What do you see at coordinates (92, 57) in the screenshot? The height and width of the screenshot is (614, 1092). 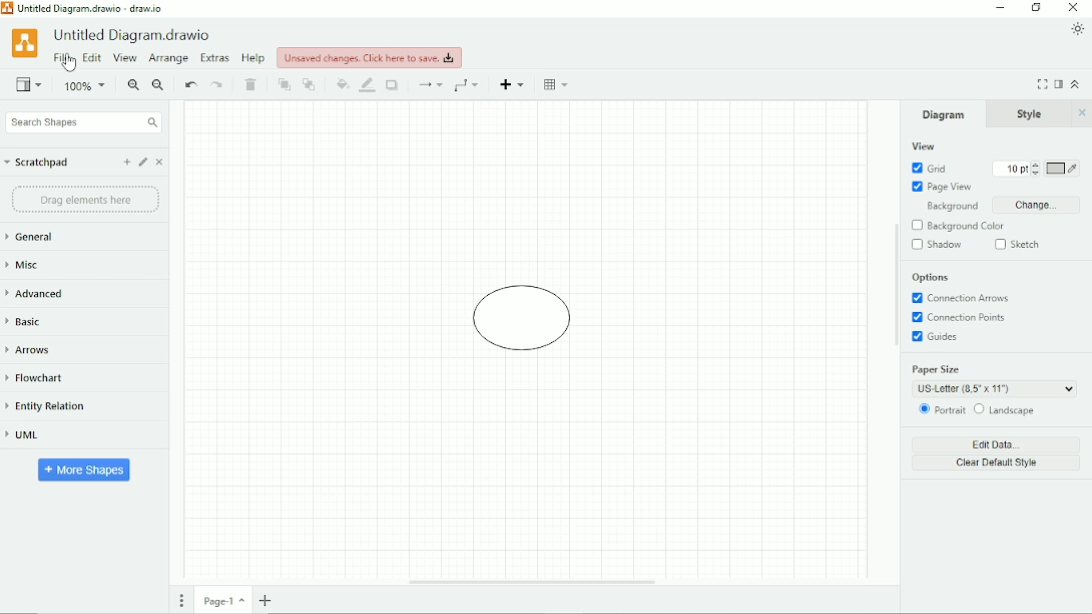 I see `Edit` at bounding box center [92, 57].